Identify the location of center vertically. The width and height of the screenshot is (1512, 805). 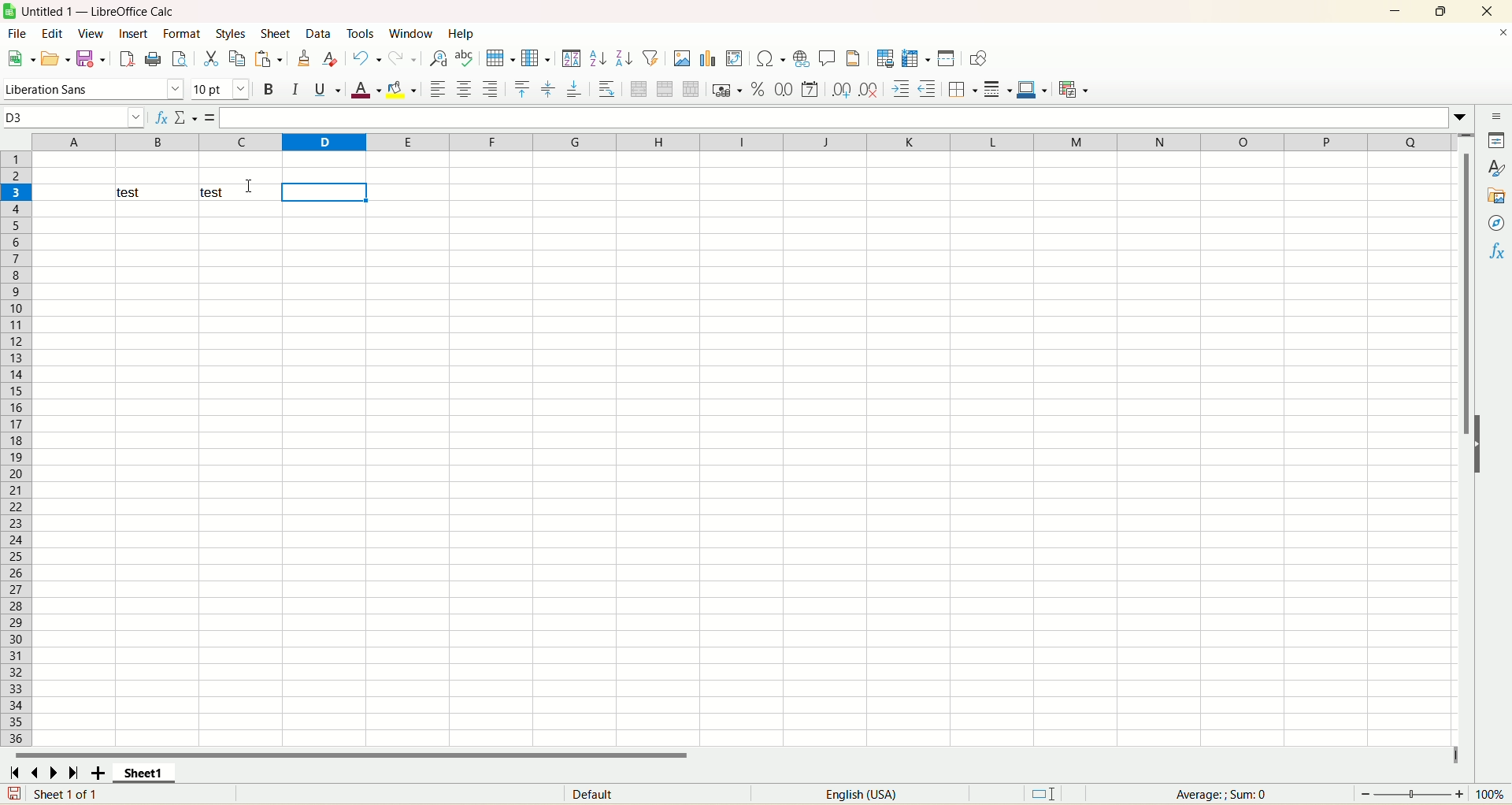
(548, 89).